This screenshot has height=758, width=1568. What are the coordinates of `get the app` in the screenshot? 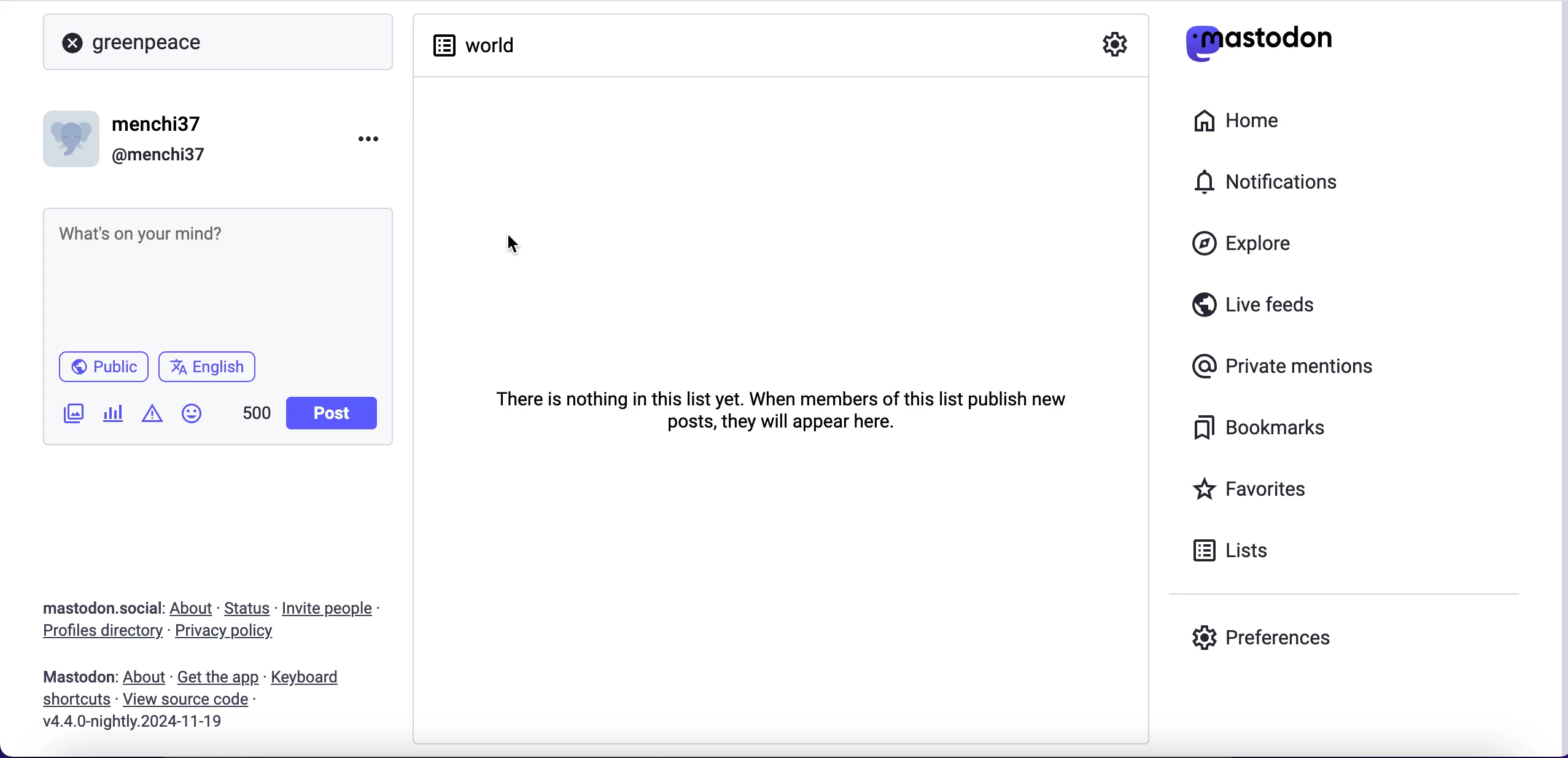 It's located at (217, 677).